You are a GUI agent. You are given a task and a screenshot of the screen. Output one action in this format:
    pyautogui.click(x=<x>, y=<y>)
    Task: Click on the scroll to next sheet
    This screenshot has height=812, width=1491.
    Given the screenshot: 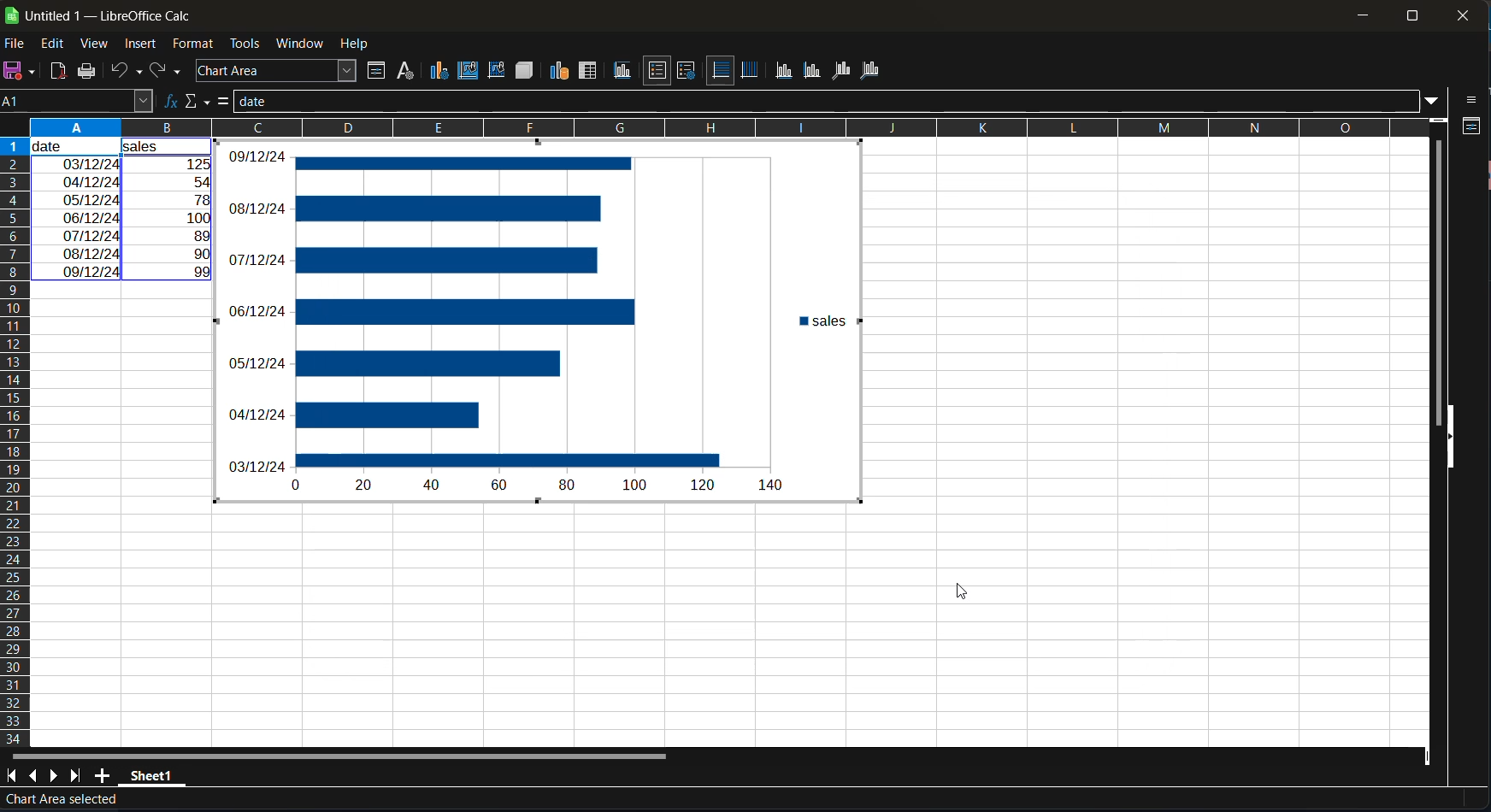 What is the action you would take?
    pyautogui.click(x=56, y=778)
    